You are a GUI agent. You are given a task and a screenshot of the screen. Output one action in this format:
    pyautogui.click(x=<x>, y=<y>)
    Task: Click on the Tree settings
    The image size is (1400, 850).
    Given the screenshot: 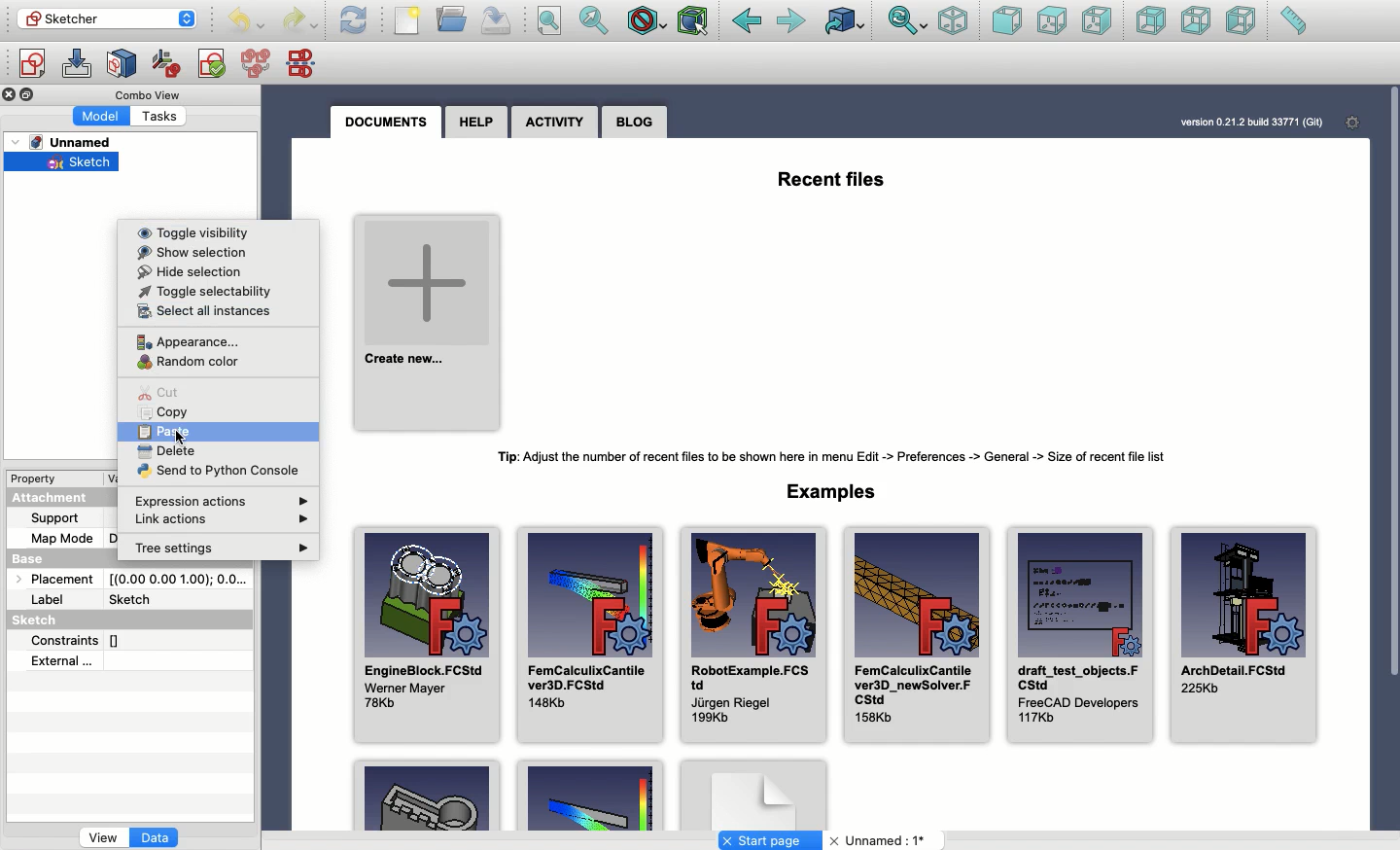 What is the action you would take?
    pyautogui.click(x=205, y=549)
    